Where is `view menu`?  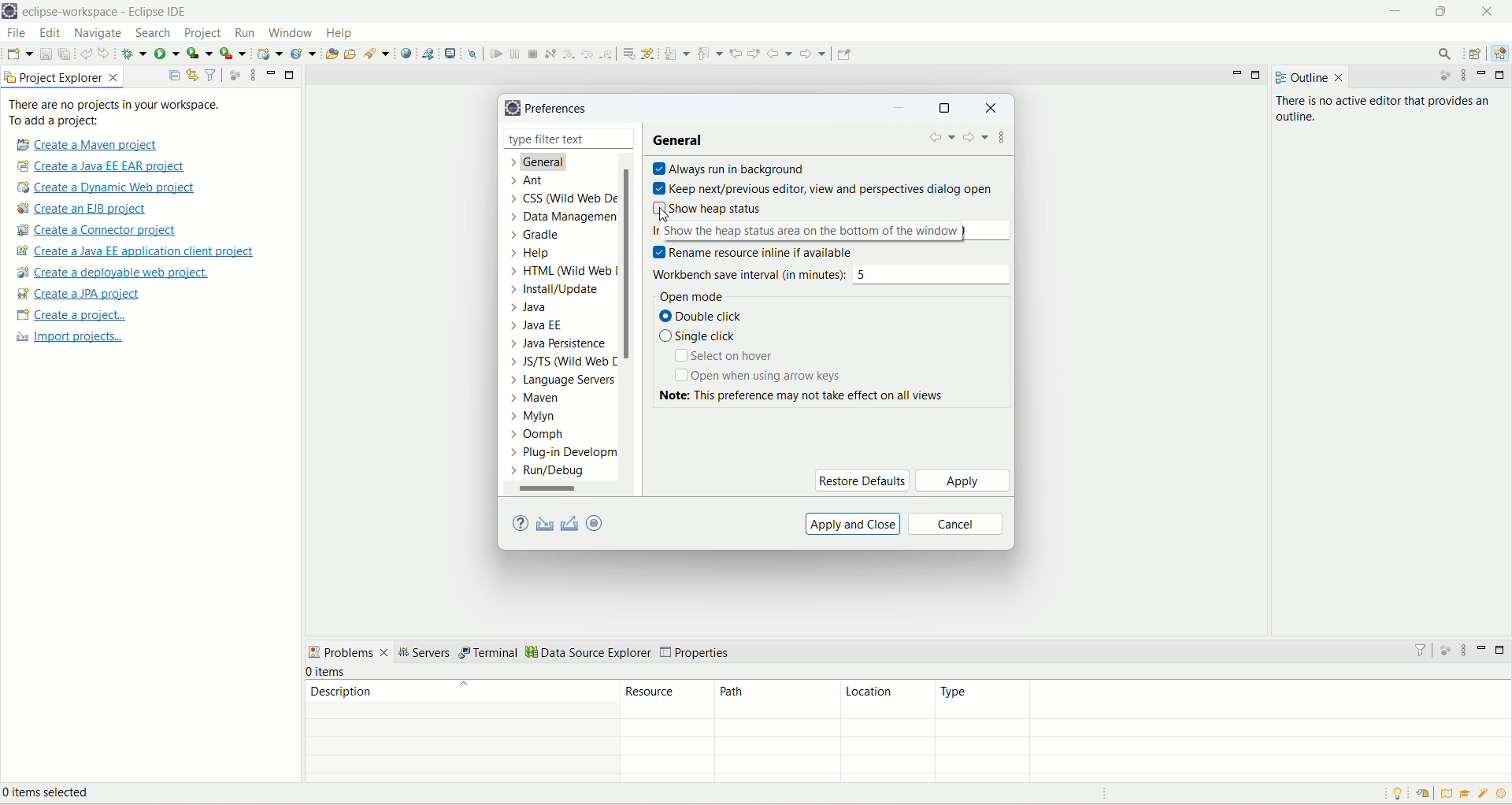 view menu is located at coordinates (1466, 77).